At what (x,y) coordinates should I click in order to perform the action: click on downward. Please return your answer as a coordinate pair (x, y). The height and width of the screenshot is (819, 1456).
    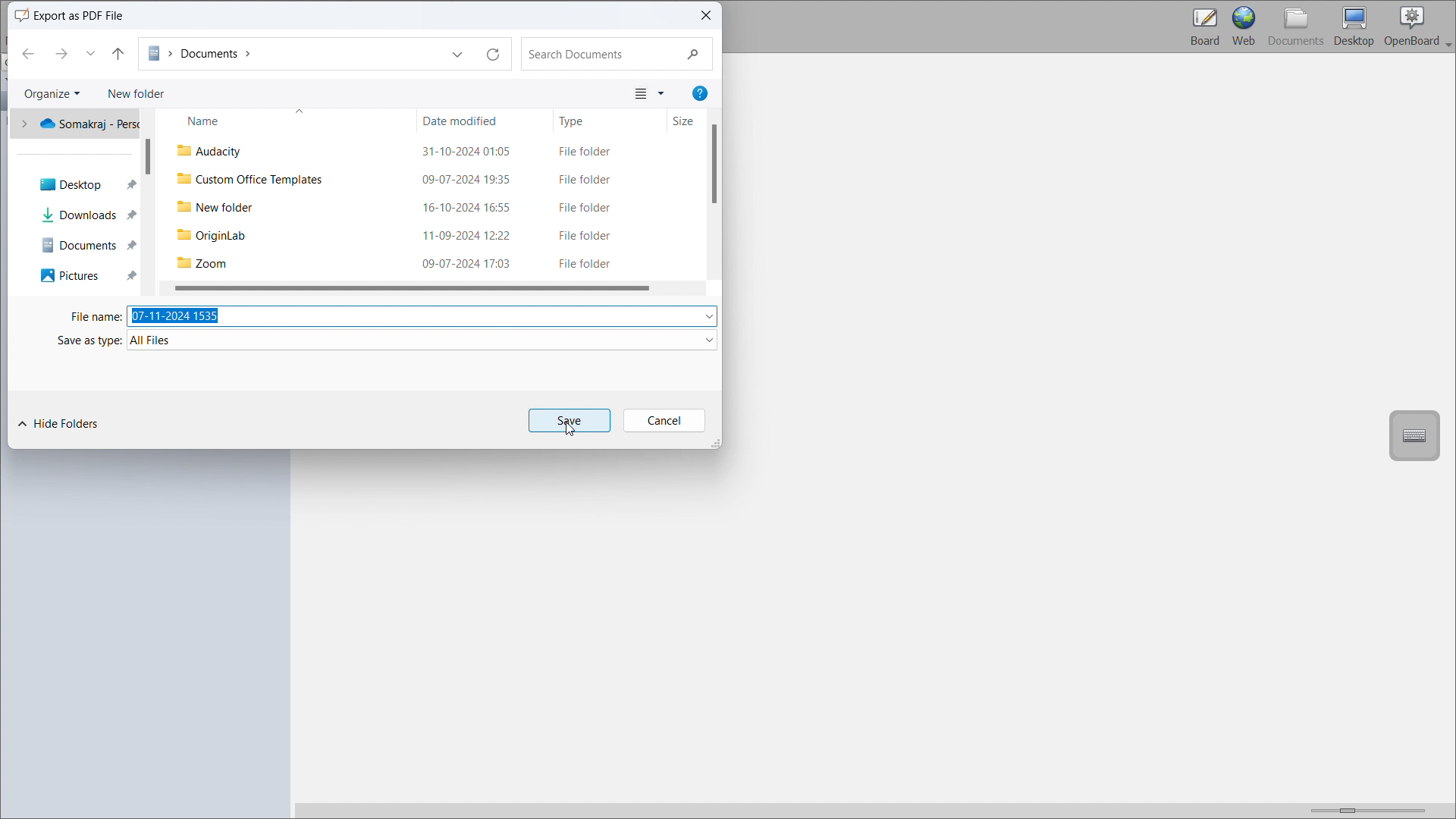
    Looking at the image, I should click on (112, 52).